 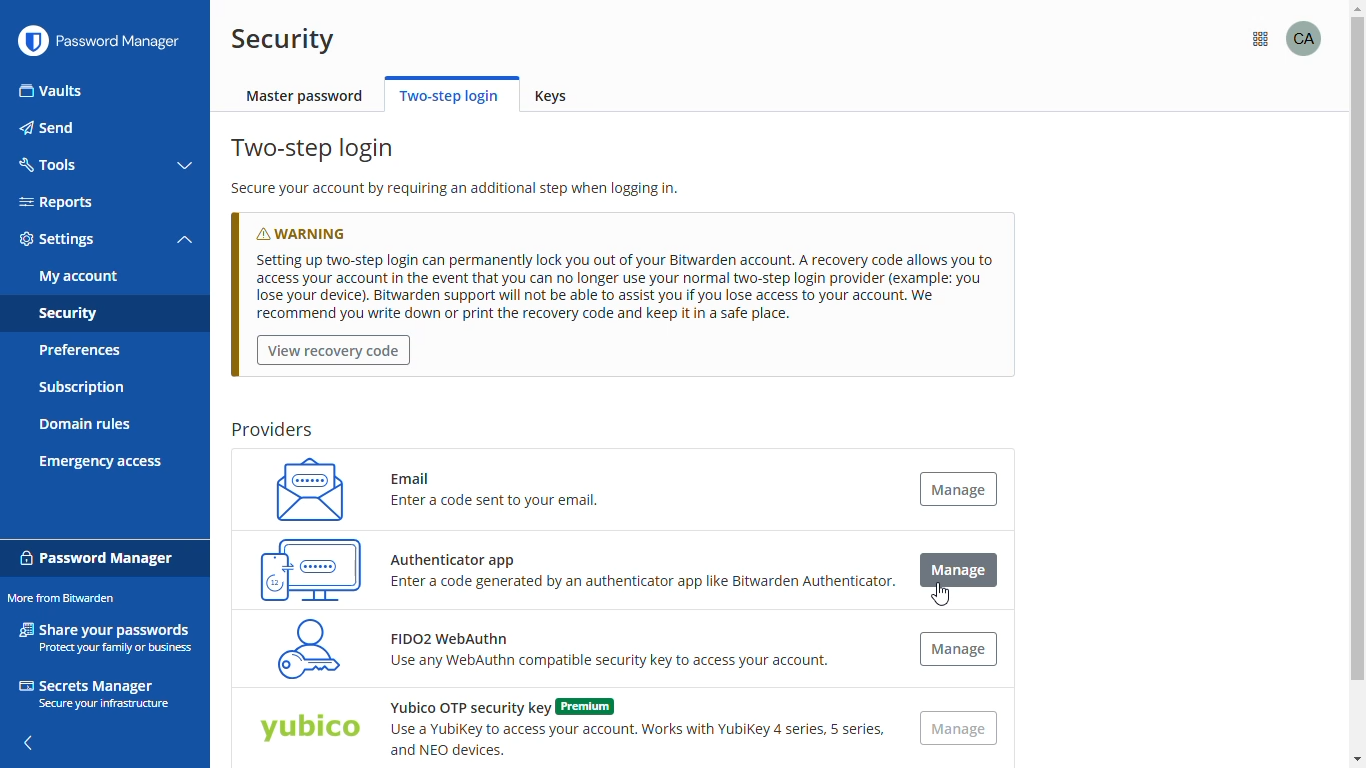 What do you see at coordinates (271, 430) in the screenshot?
I see `providers` at bounding box center [271, 430].